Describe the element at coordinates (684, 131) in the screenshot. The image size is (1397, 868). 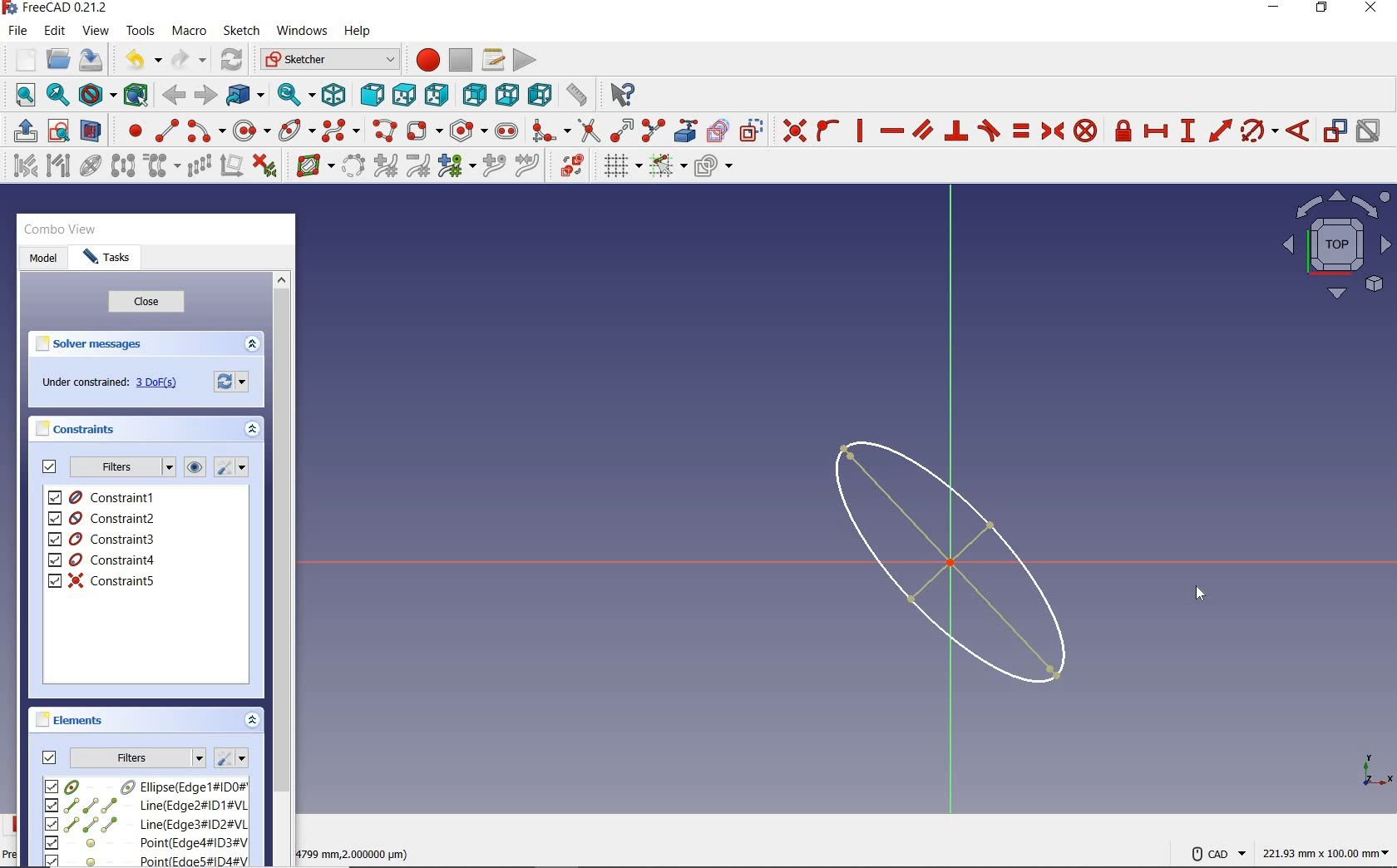
I see `create external geometry` at that location.